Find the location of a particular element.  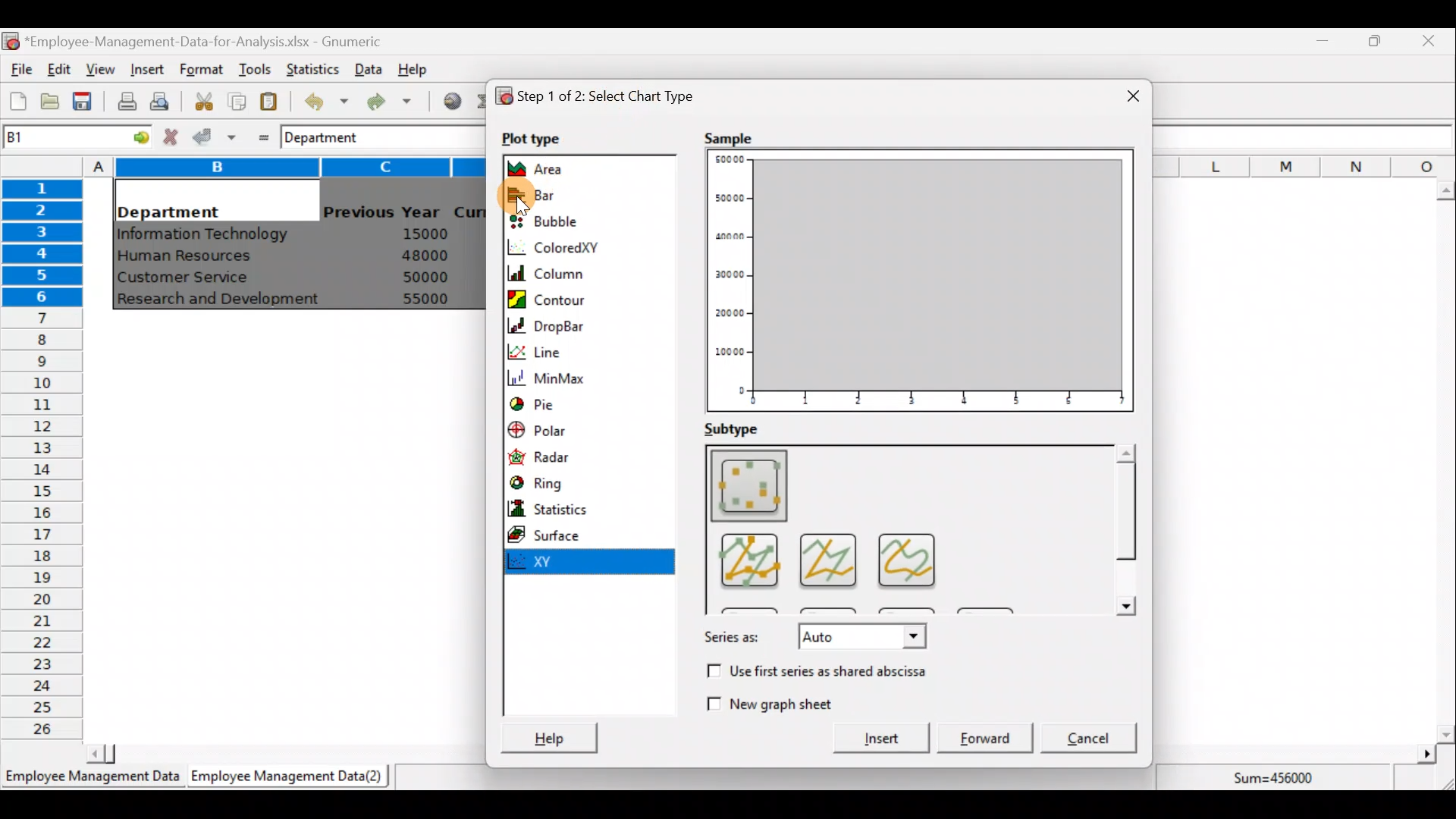

go to is located at coordinates (135, 135).